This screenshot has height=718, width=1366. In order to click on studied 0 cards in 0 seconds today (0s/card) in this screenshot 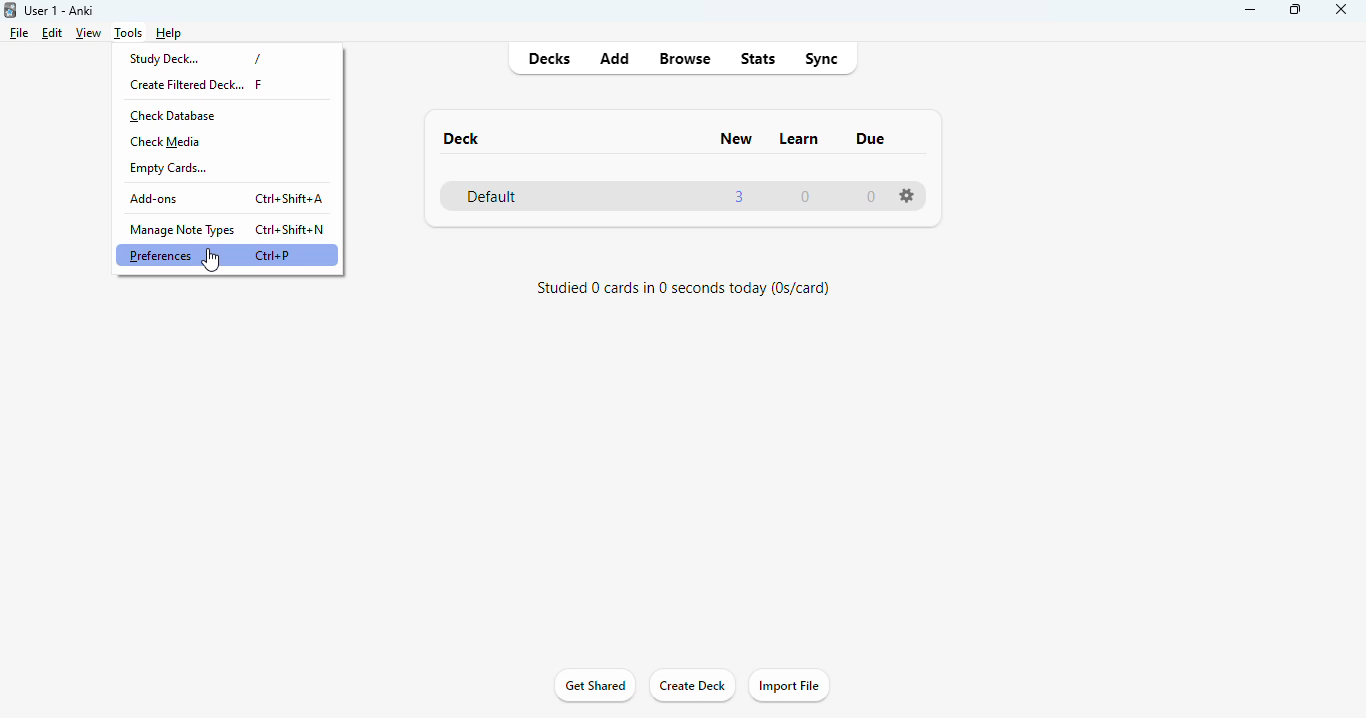, I will do `click(683, 288)`.